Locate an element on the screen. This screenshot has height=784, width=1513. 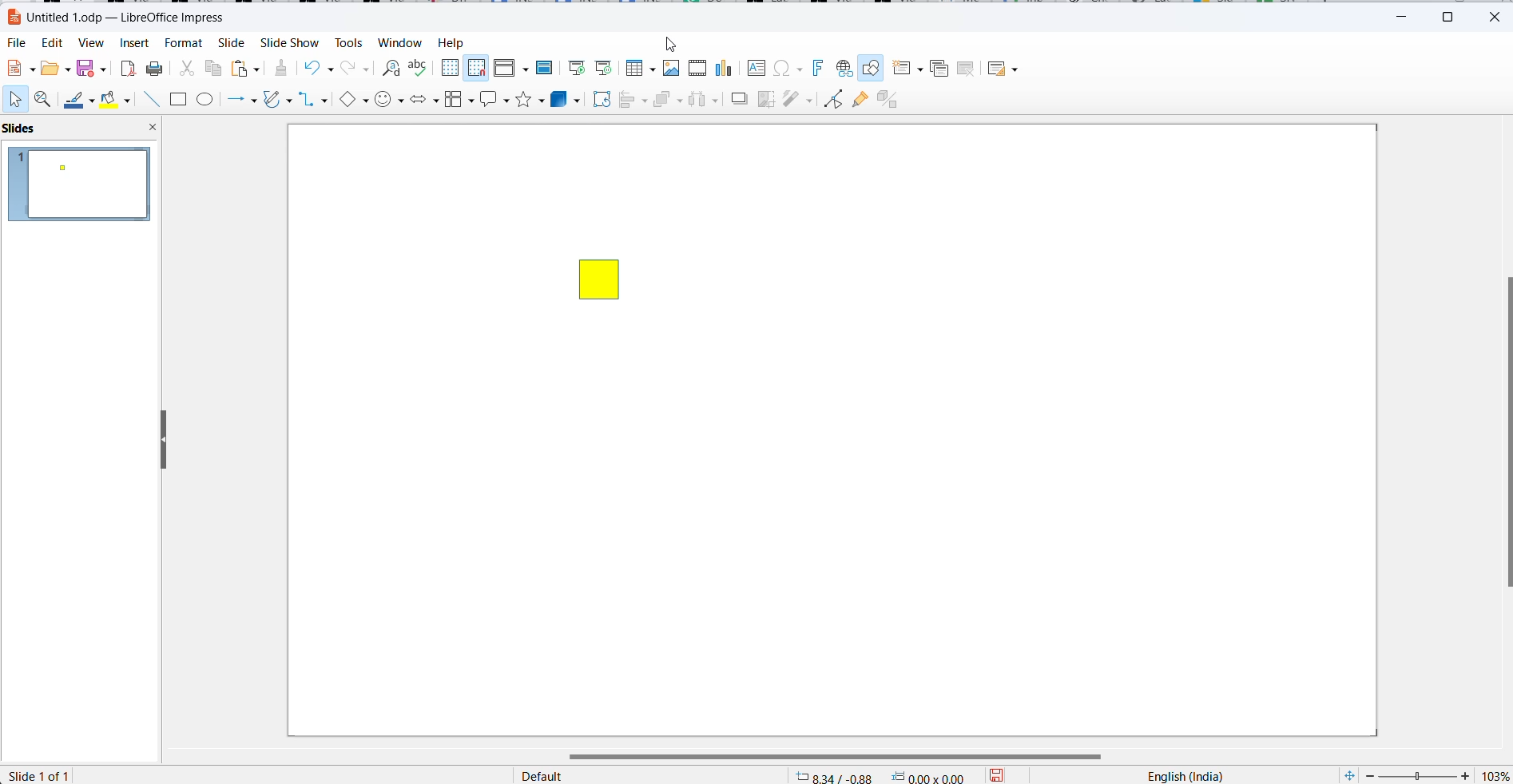
Tools is located at coordinates (347, 43).